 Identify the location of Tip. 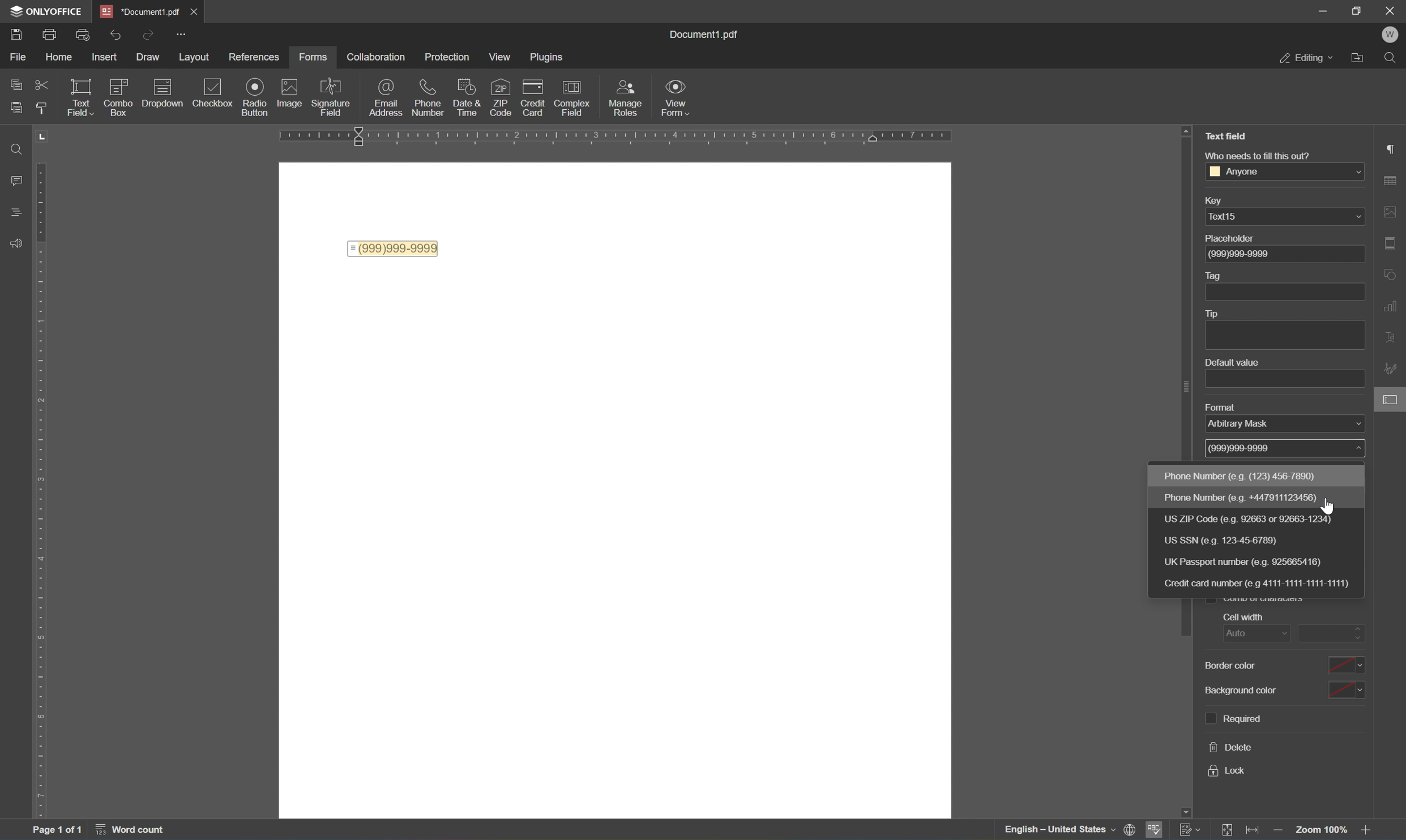
(1213, 314).